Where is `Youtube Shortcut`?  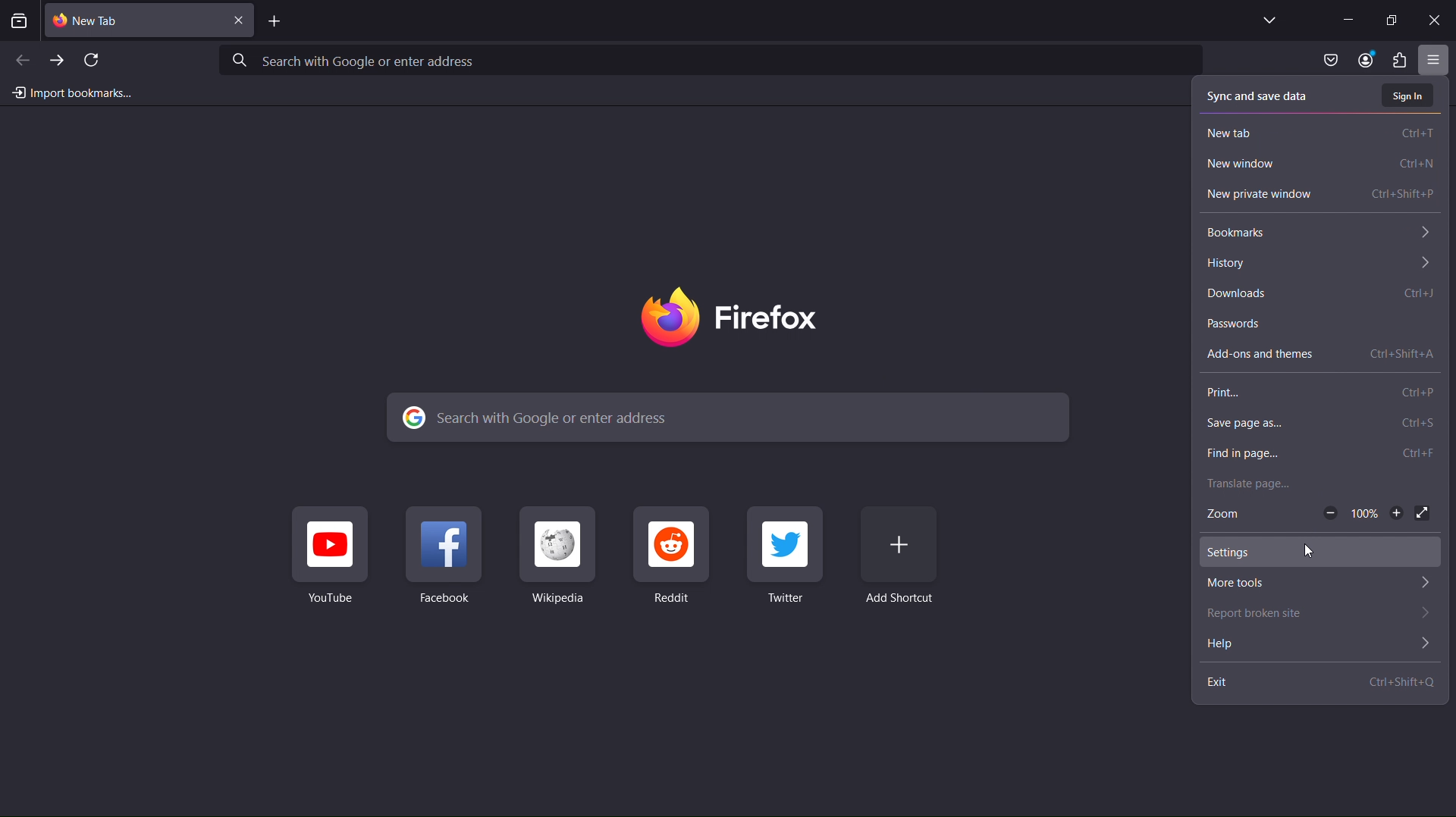 Youtube Shortcut is located at coordinates (332, 555).